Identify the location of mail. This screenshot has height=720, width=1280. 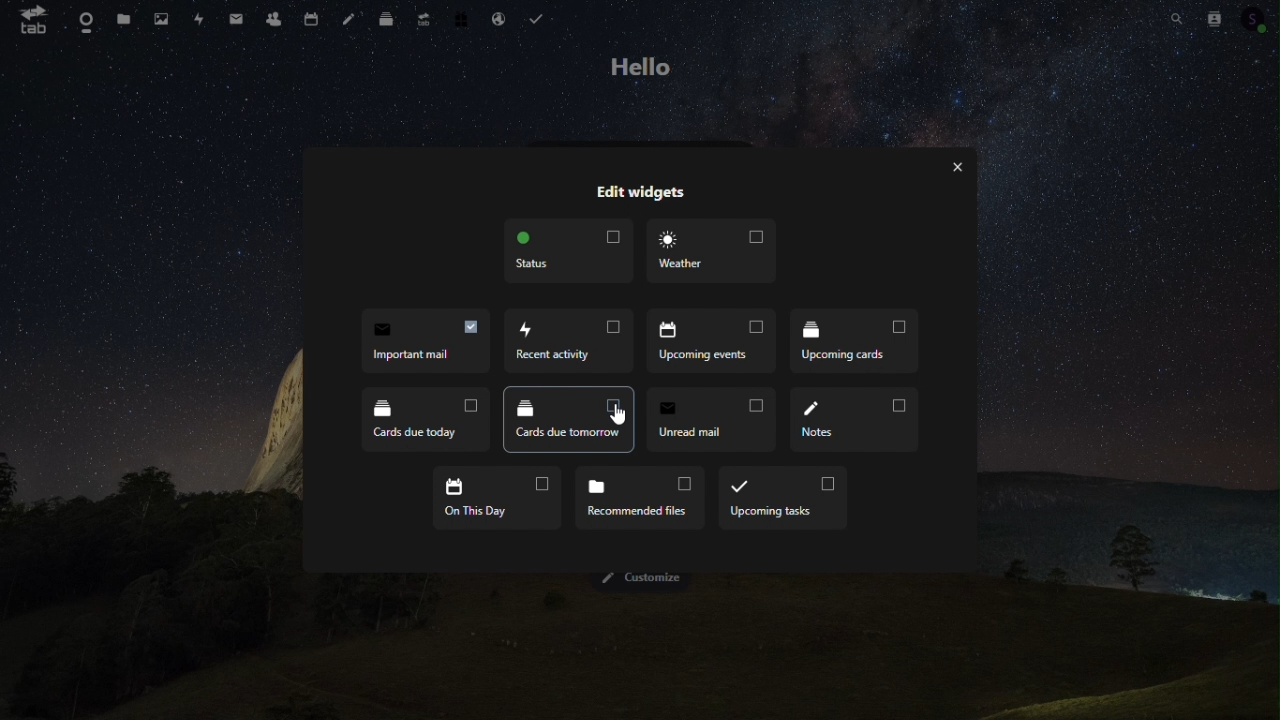
(236, 17).